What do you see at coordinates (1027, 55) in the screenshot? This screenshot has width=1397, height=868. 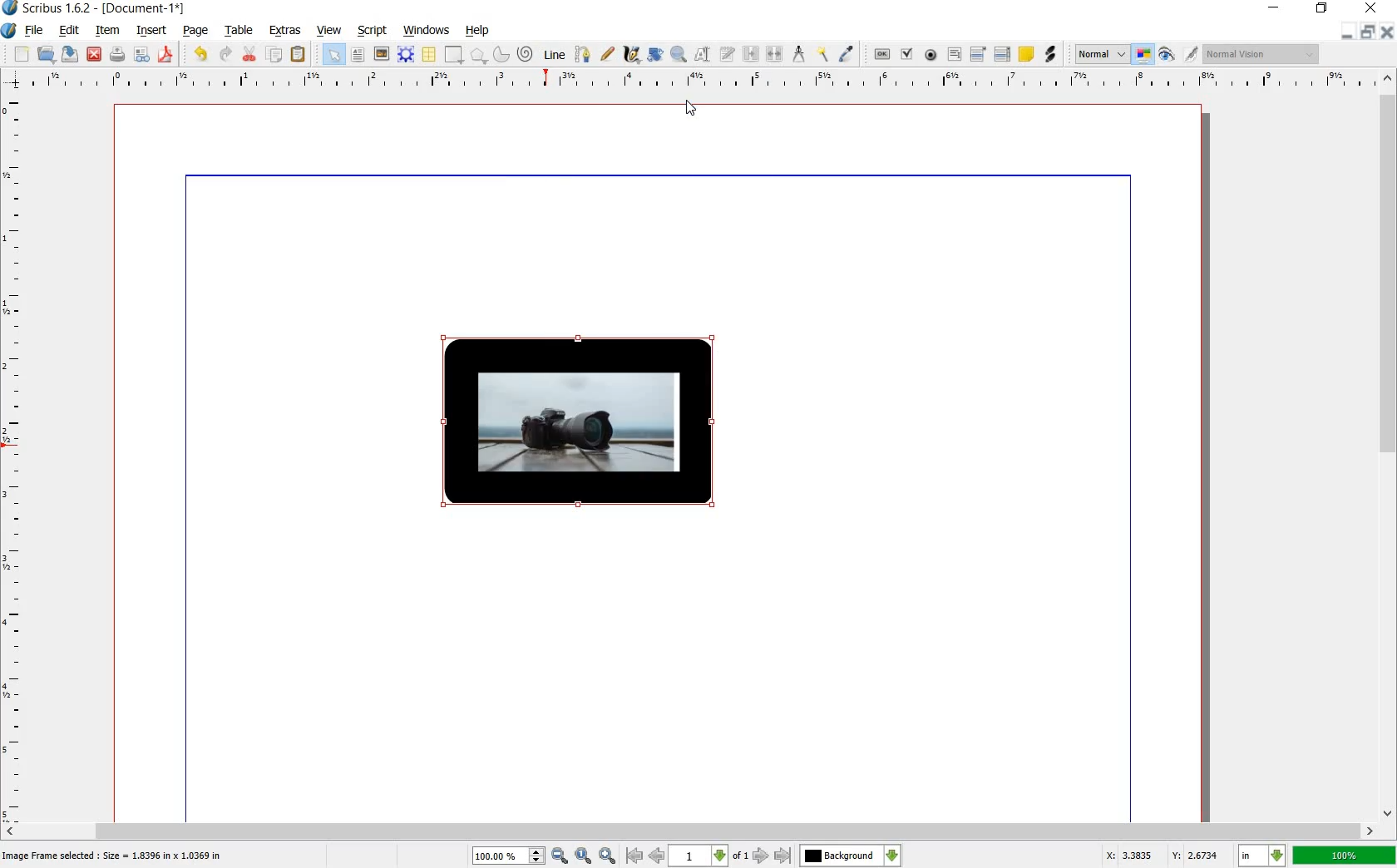 I see `text annotation` at bounding box center [1027, 55].